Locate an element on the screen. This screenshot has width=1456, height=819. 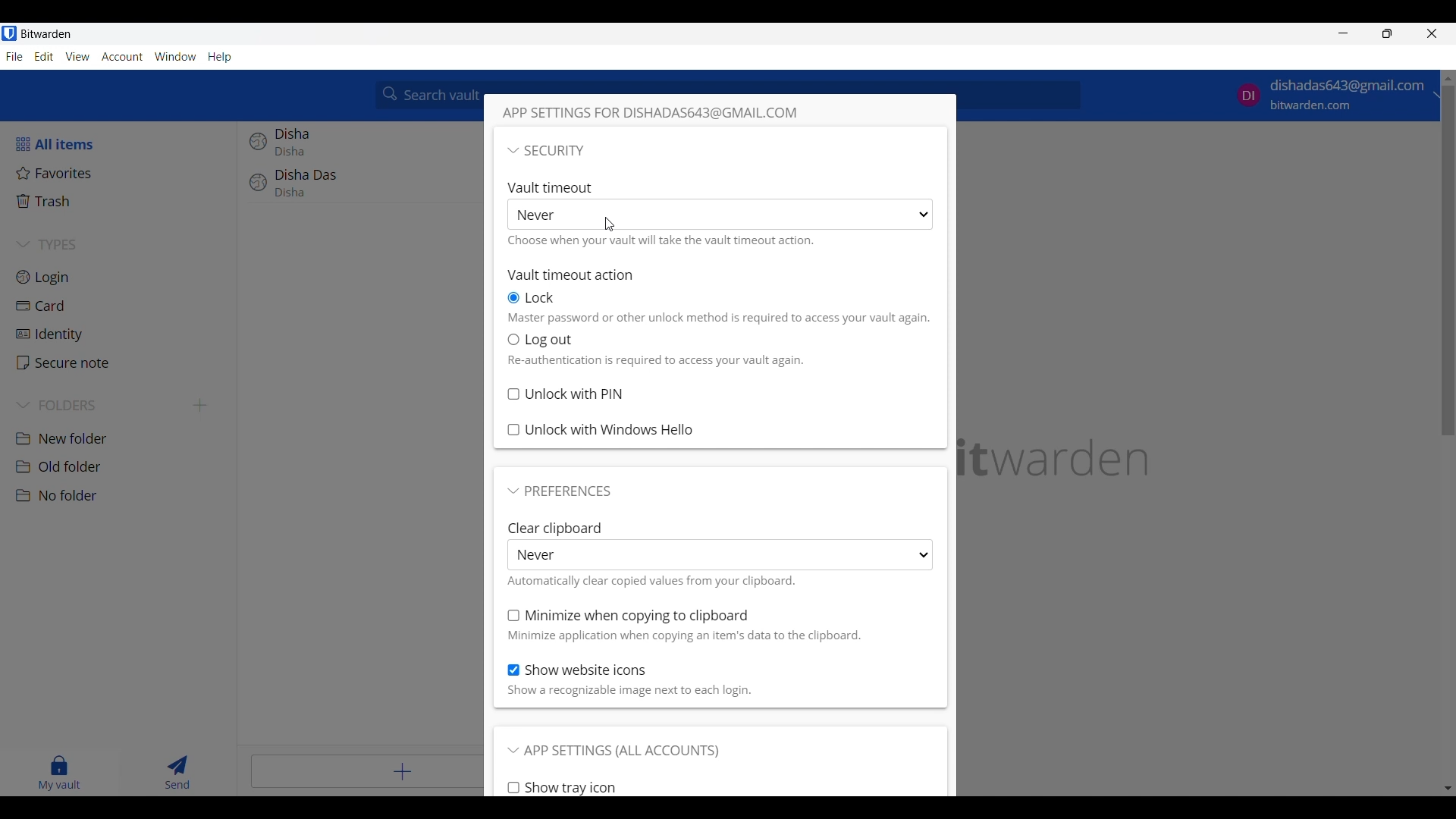
Description of above toggle is located at coordinates (686, 636).